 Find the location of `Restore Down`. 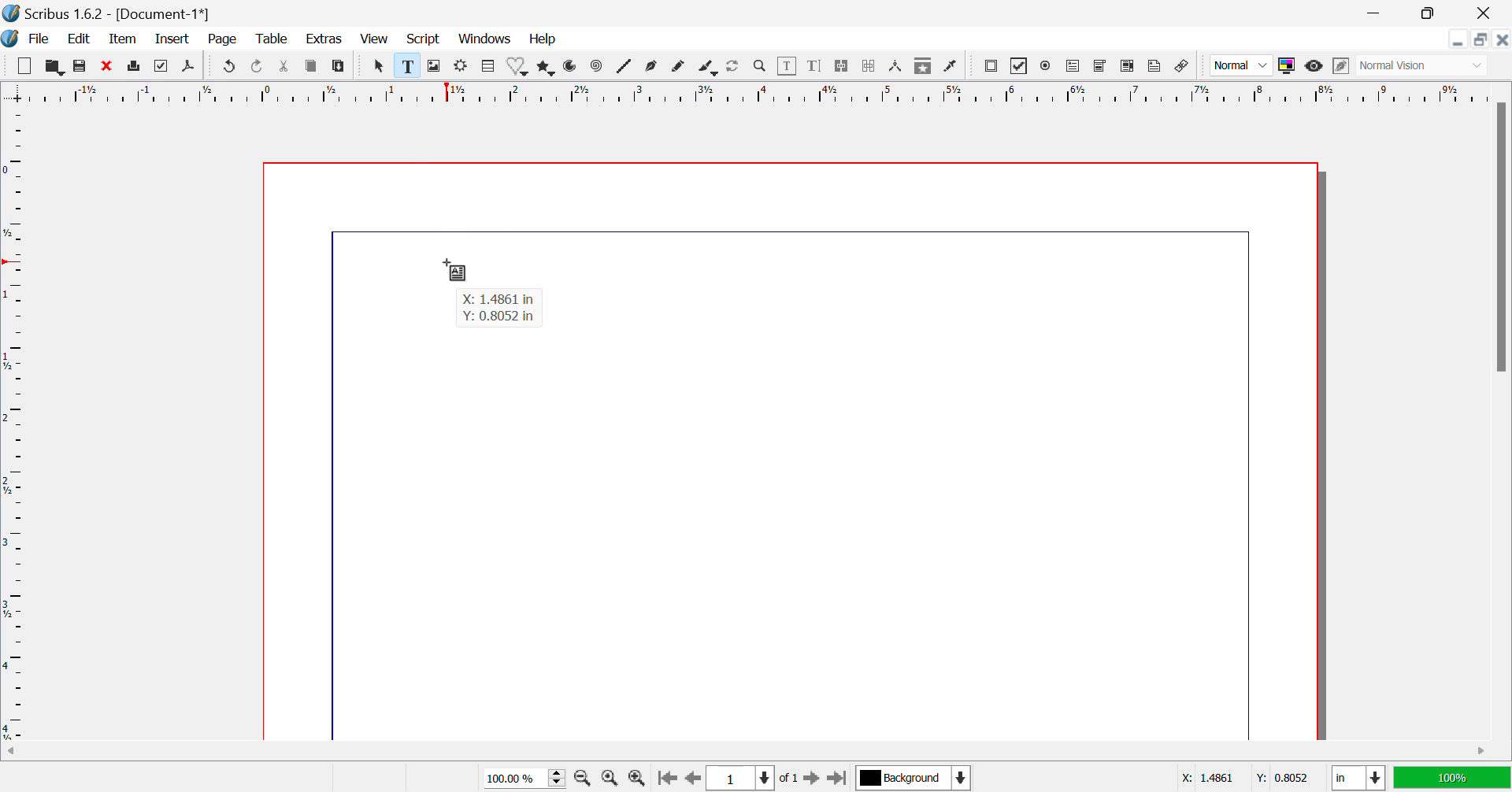

Restore Down is located at coordinates (1460, 40).